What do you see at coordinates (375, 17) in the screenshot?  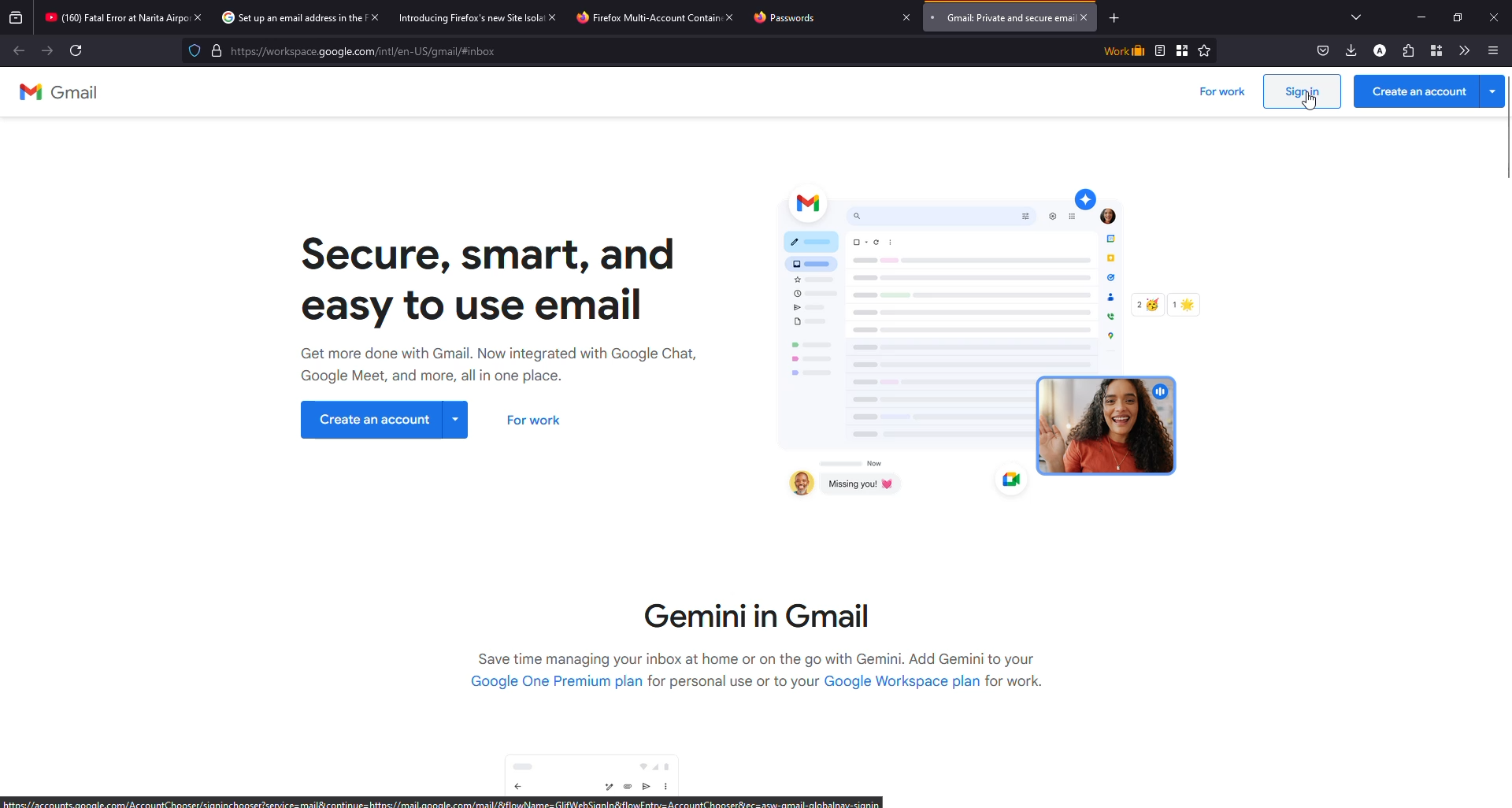 I see `close` at bounding box center [375, 17].